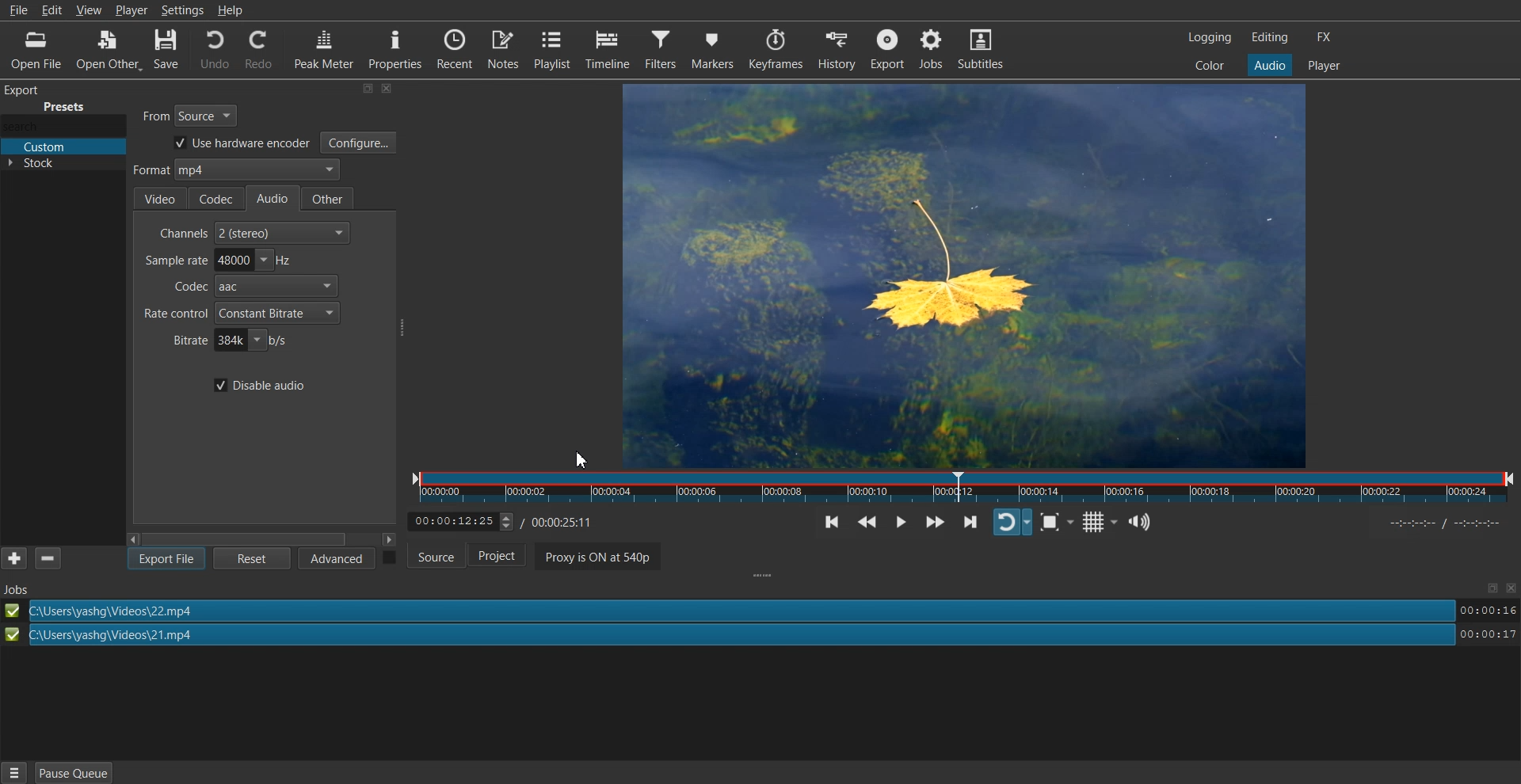 The width and height of the screenshot is (1521, 784). What do you see at coordinates (15, 772) in the screenshot?
I see `Hamburger Menu` at bounding box center [15, 772].